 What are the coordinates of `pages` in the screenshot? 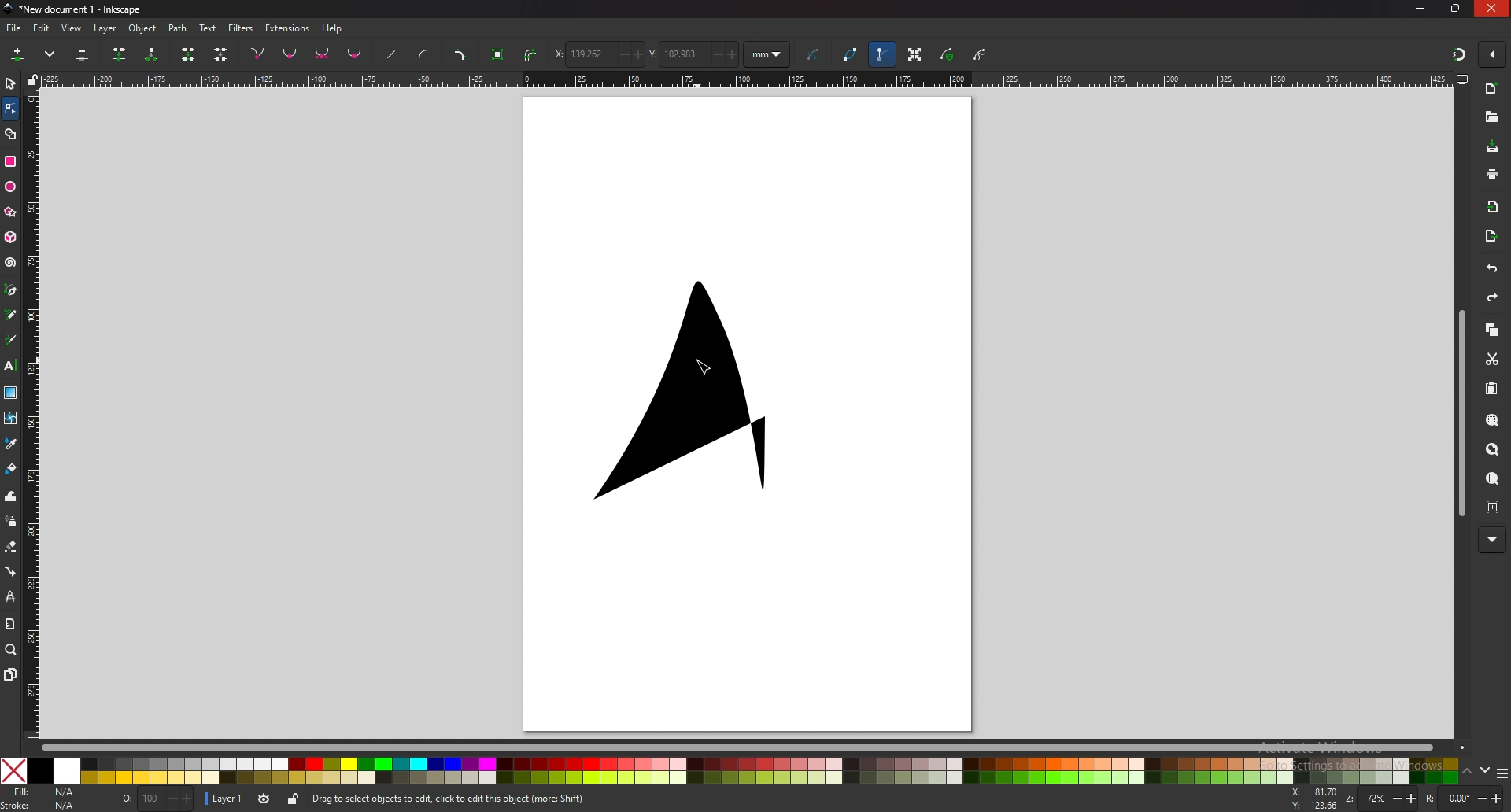 It's located at (10, 675).